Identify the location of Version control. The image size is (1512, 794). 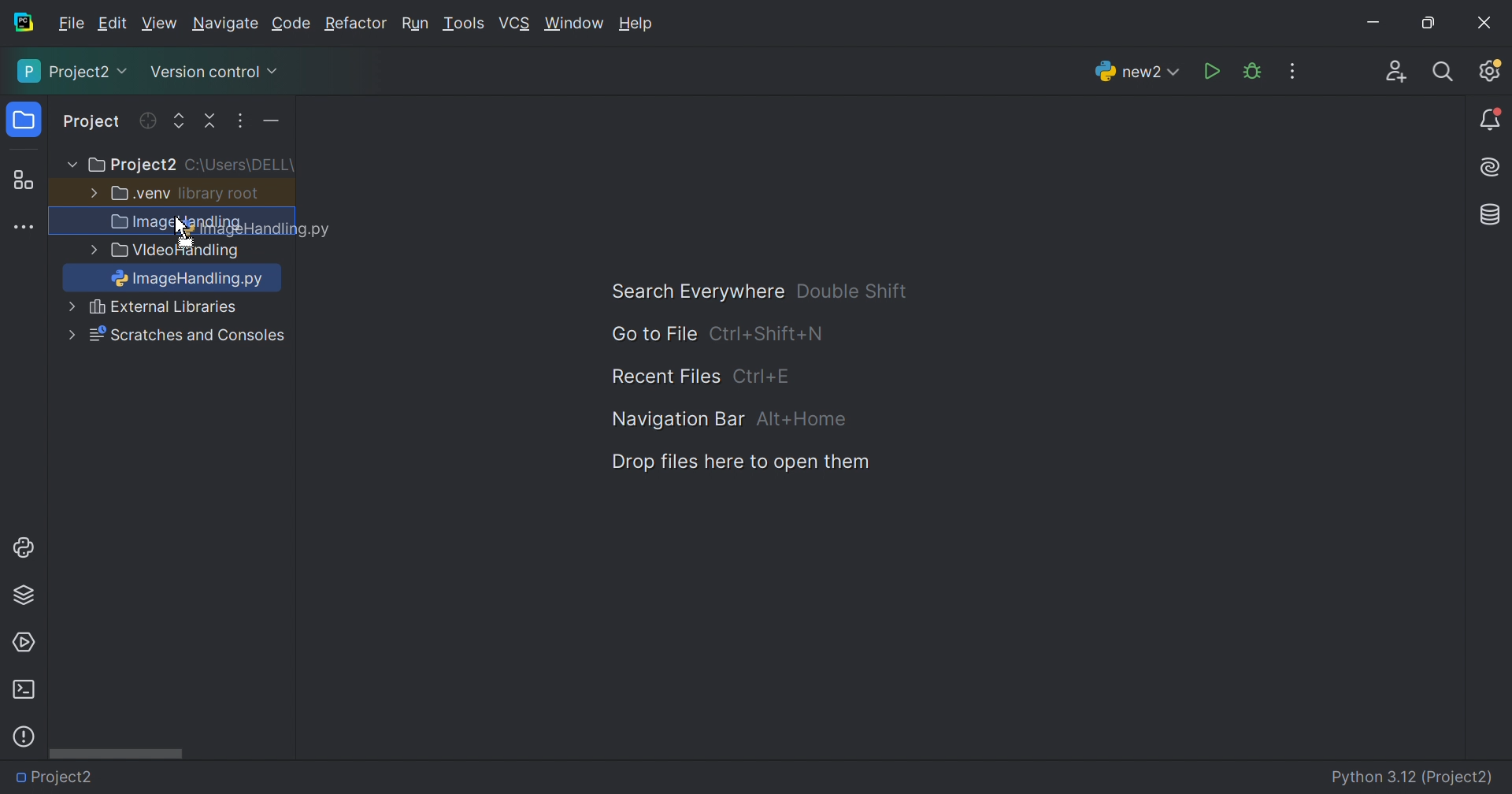
(213, 75).